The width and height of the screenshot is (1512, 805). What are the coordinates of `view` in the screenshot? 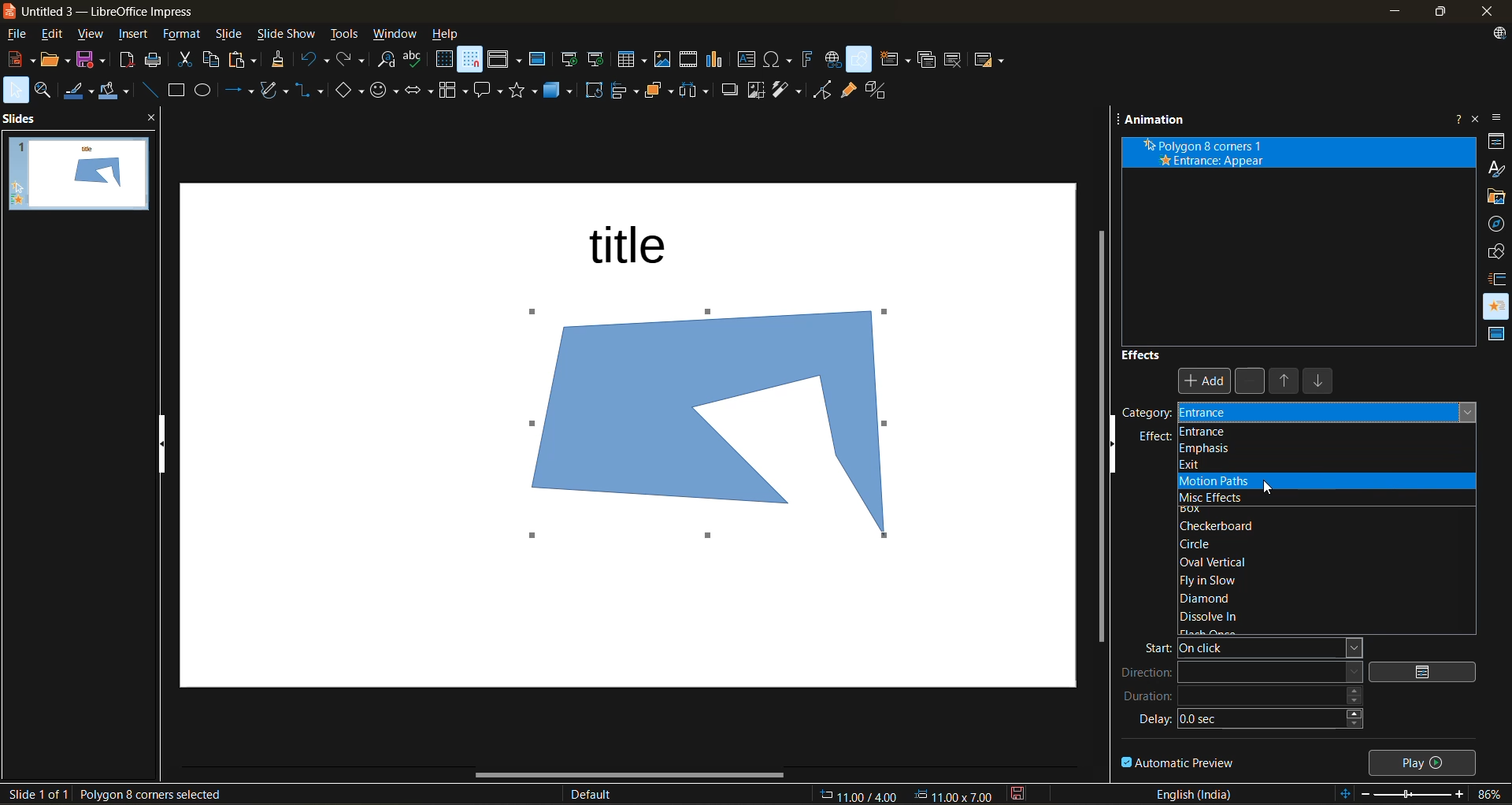 It's located at (91, 36).